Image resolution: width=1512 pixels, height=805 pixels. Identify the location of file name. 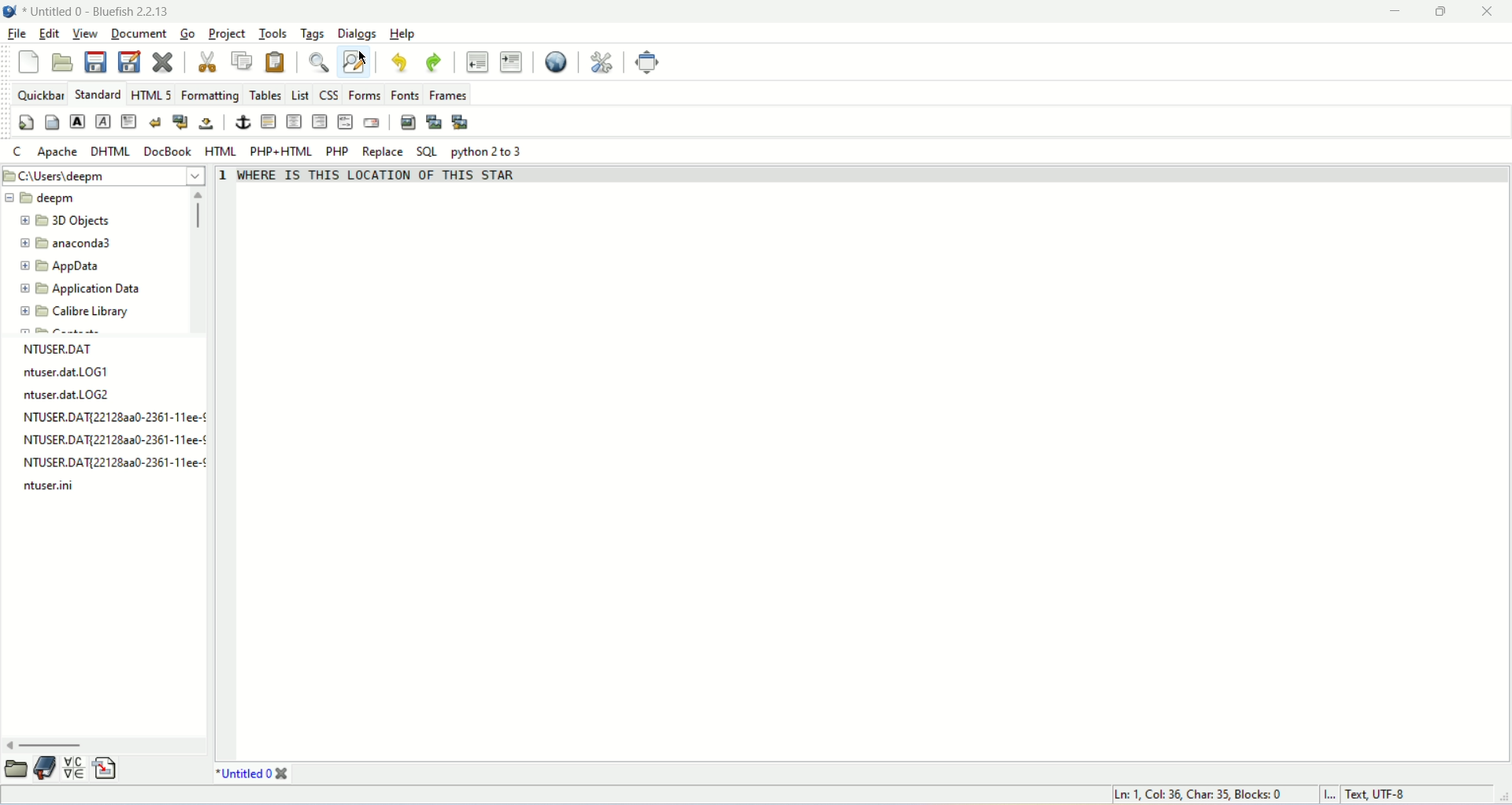
(117, 417).